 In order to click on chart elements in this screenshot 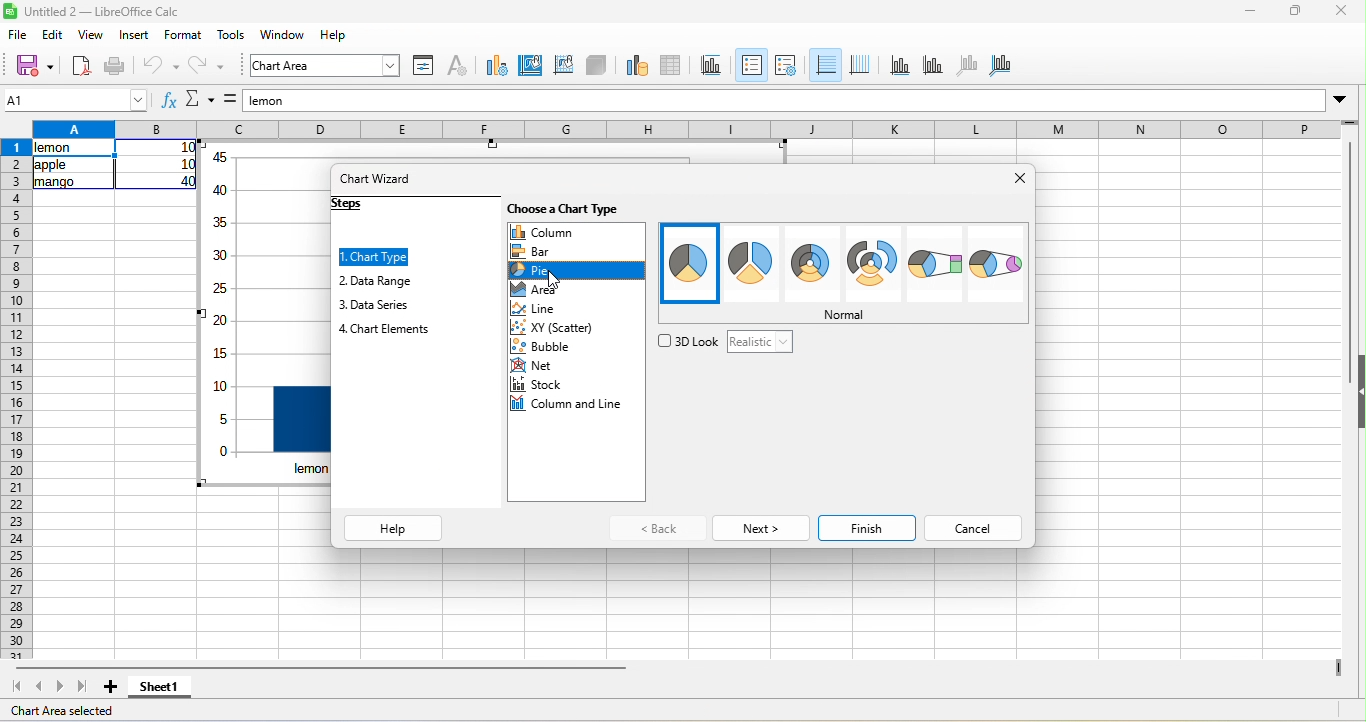, I will do `click(387, 329)`.